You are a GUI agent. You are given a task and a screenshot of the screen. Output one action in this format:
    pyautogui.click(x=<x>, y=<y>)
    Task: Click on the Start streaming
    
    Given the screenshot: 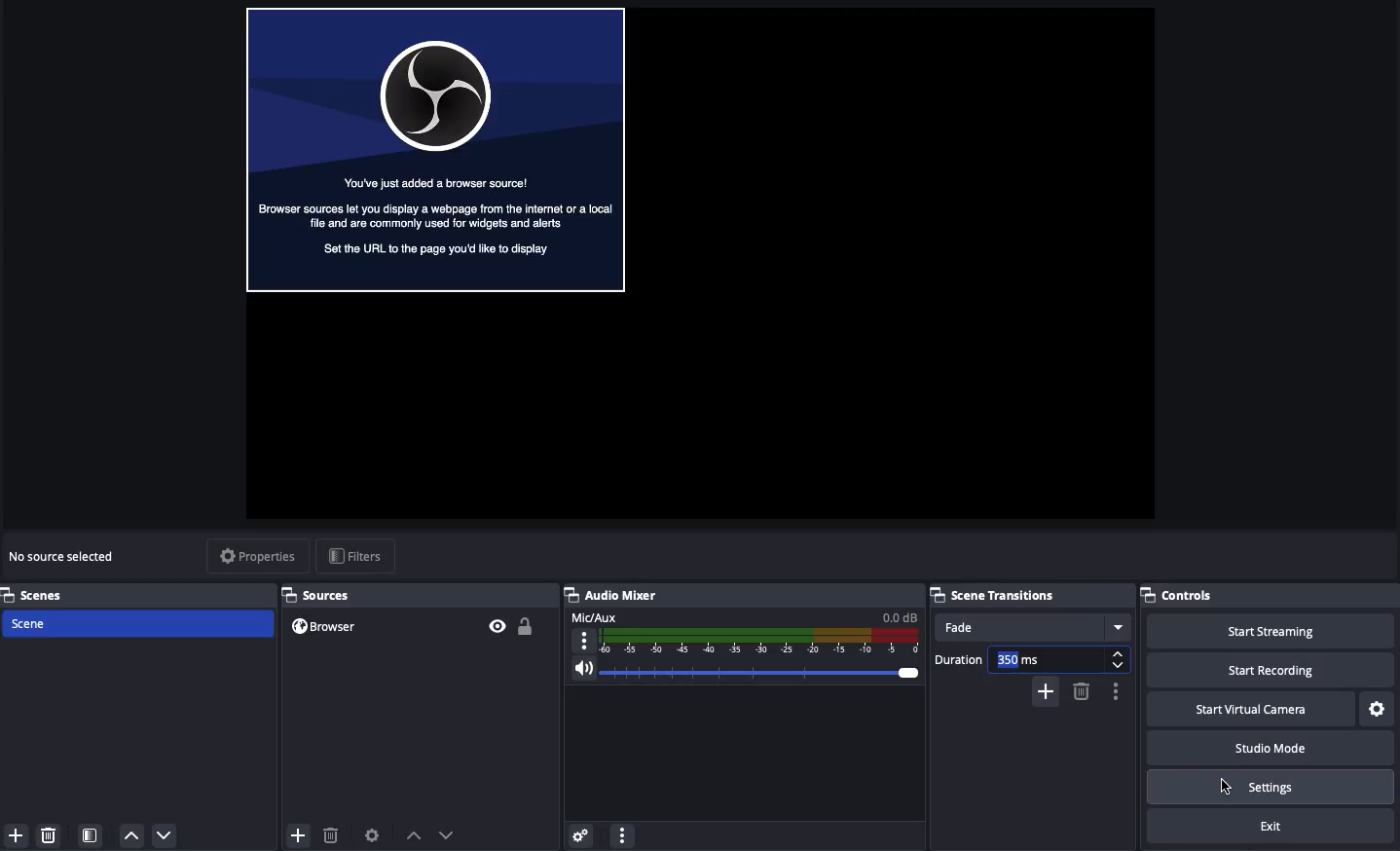 What is the action you would take?
    pyautogui.click(x=1269, y=632)
    